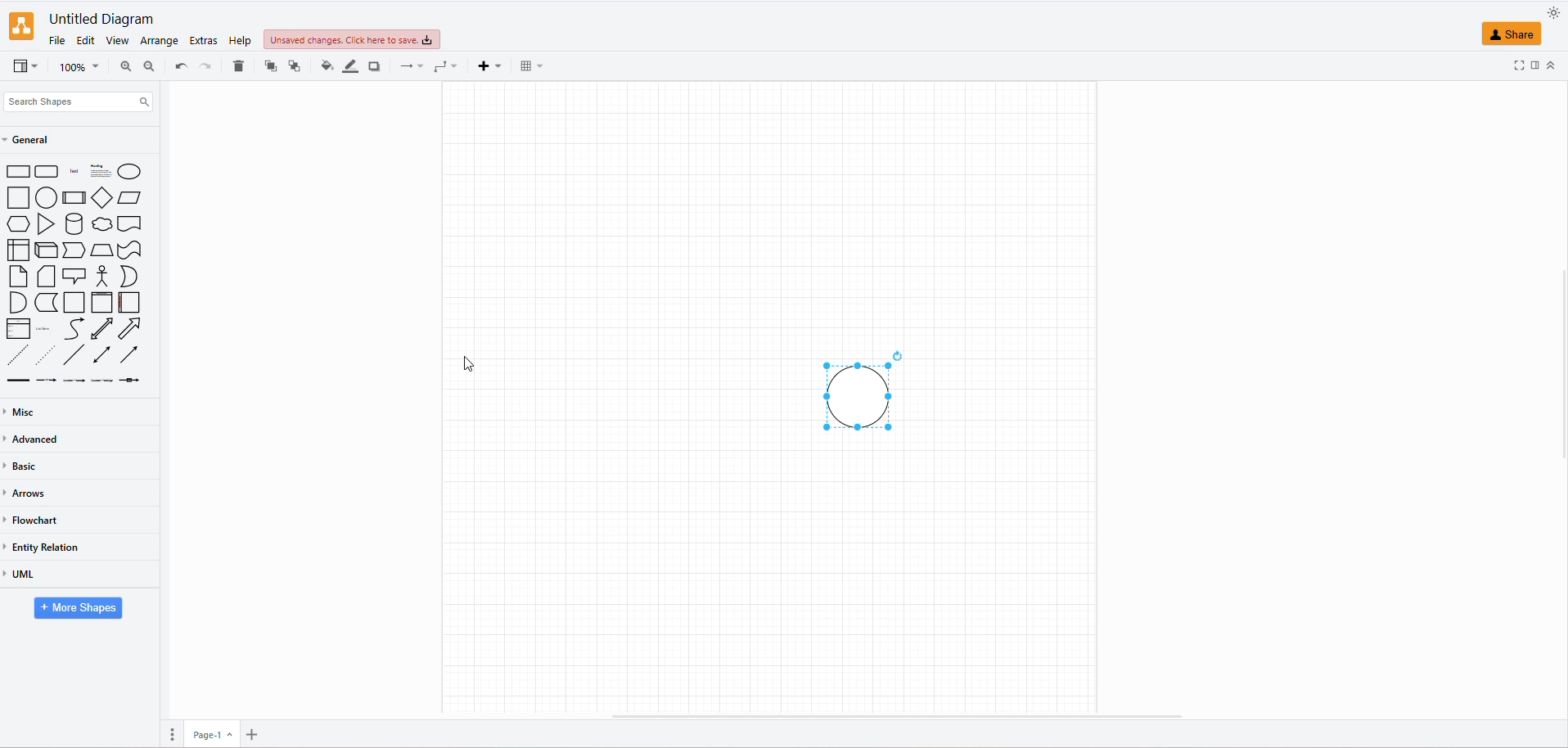 The height and width of the screenshot is (748, 1568). Describe the element at coordinates (16, 277) in the screenshot. I see `NOTE` at that location.